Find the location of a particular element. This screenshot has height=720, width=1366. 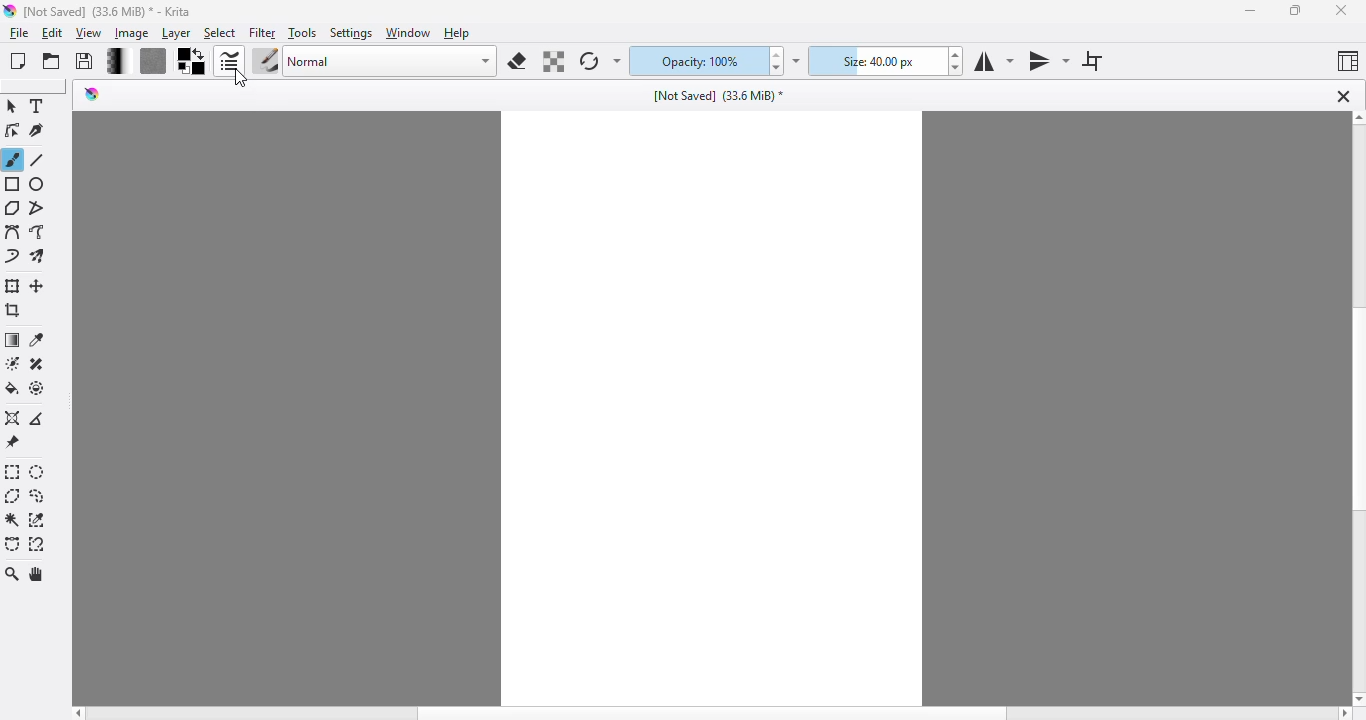

enclose and fill tool is located at coordinates (38, 388).